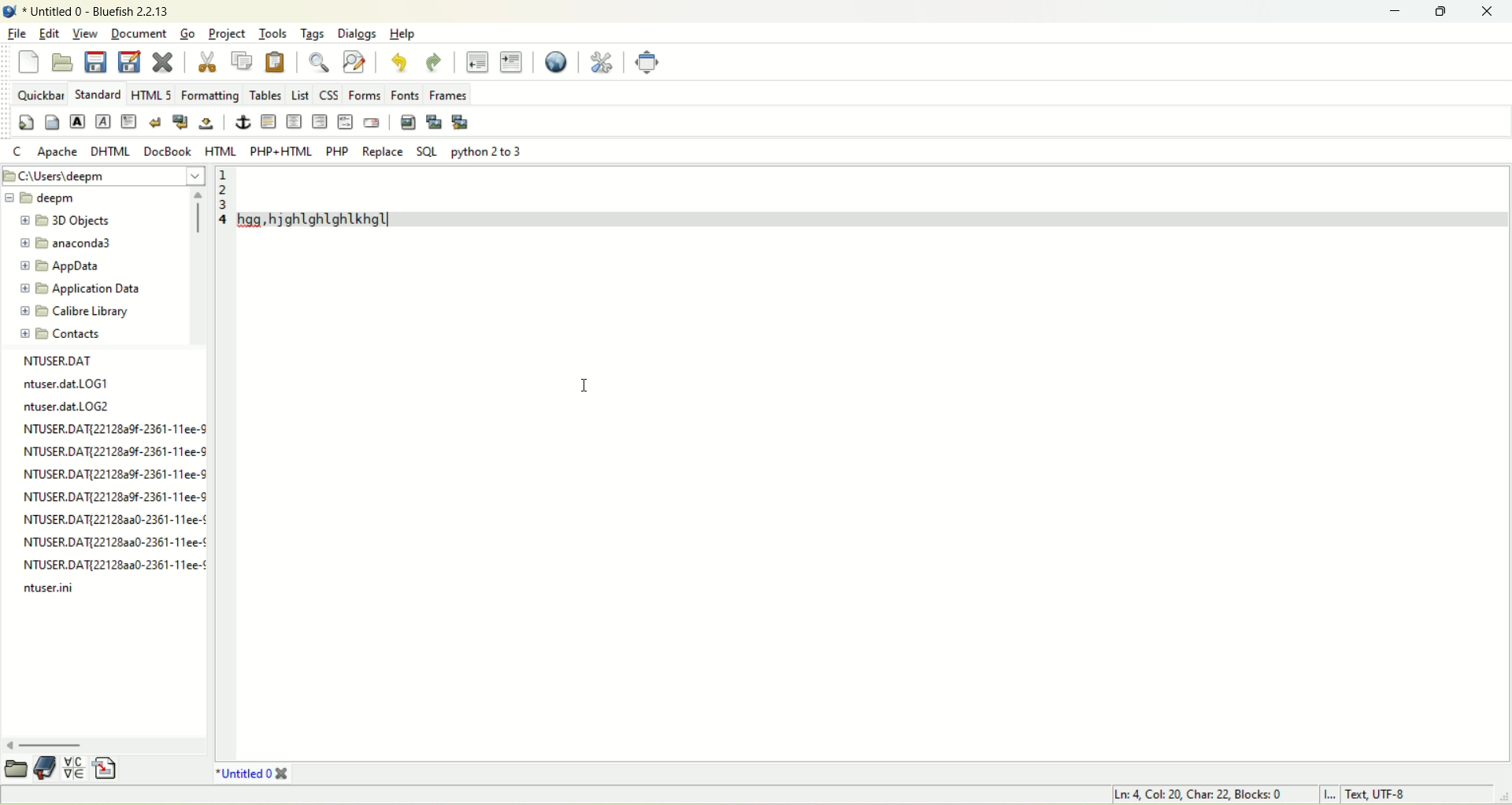 This screenshot has width=1512, height=805. What do you see at coordinates (75, 768) in the screenshot?
I see `charmap` at bounding box center [75, 768].